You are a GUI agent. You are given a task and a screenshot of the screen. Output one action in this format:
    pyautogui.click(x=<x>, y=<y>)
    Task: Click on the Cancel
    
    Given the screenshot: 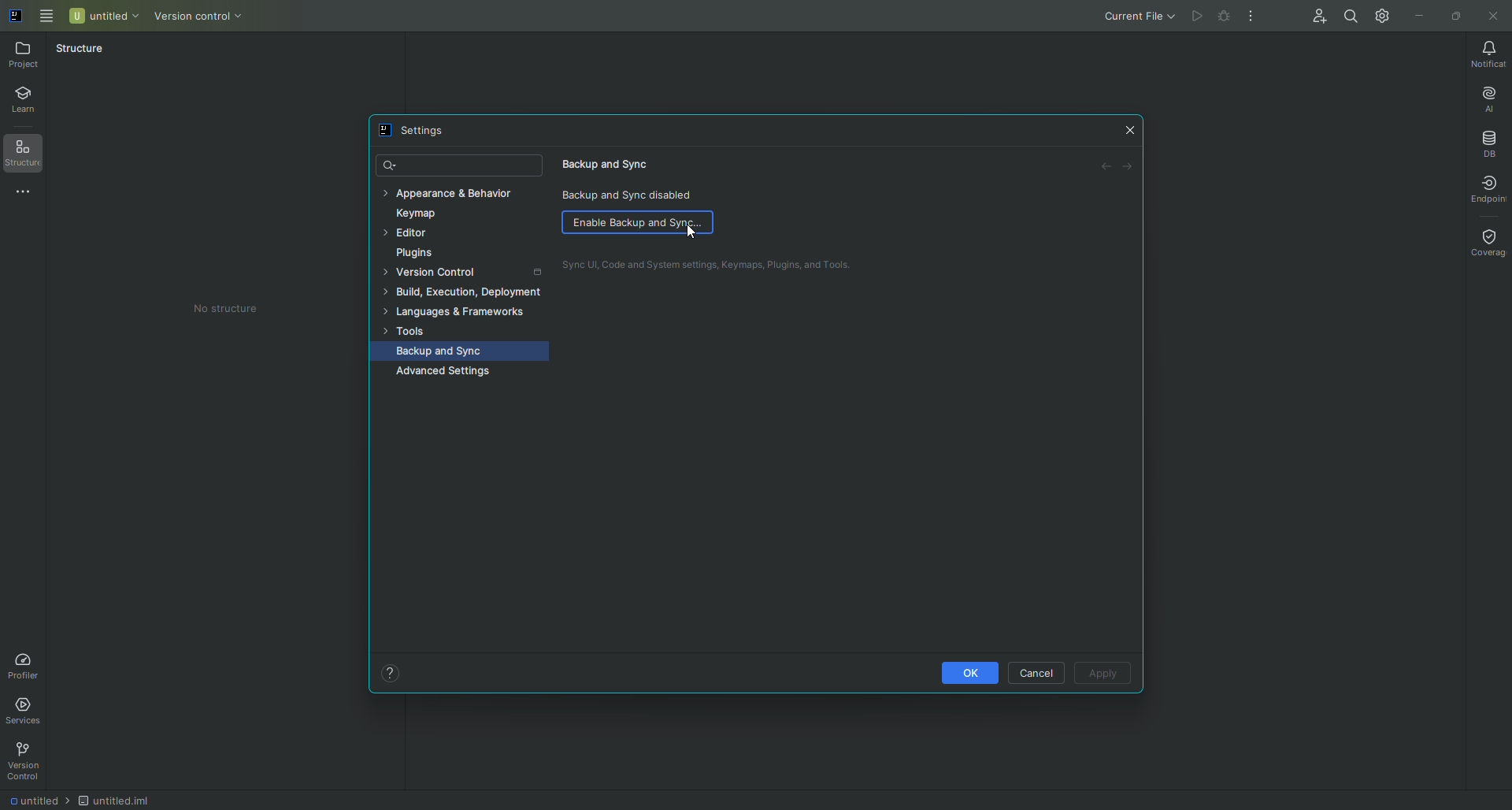 What is the action you would take?
    pyautogui.click(x=1038, y=674)
    